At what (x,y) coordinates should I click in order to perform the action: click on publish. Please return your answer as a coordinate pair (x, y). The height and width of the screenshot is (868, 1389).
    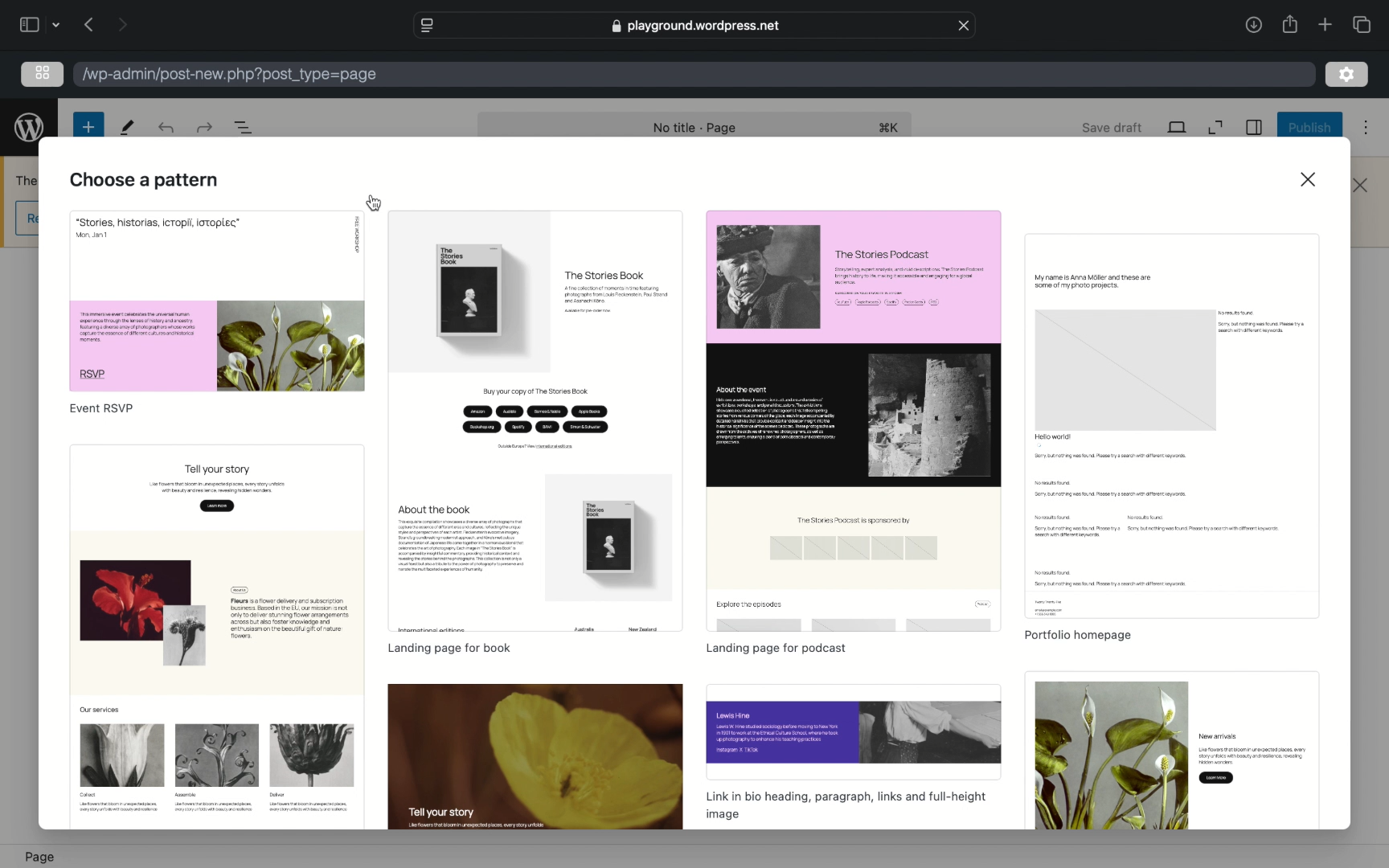
    Looking at the image, I should click on (1308, 127).